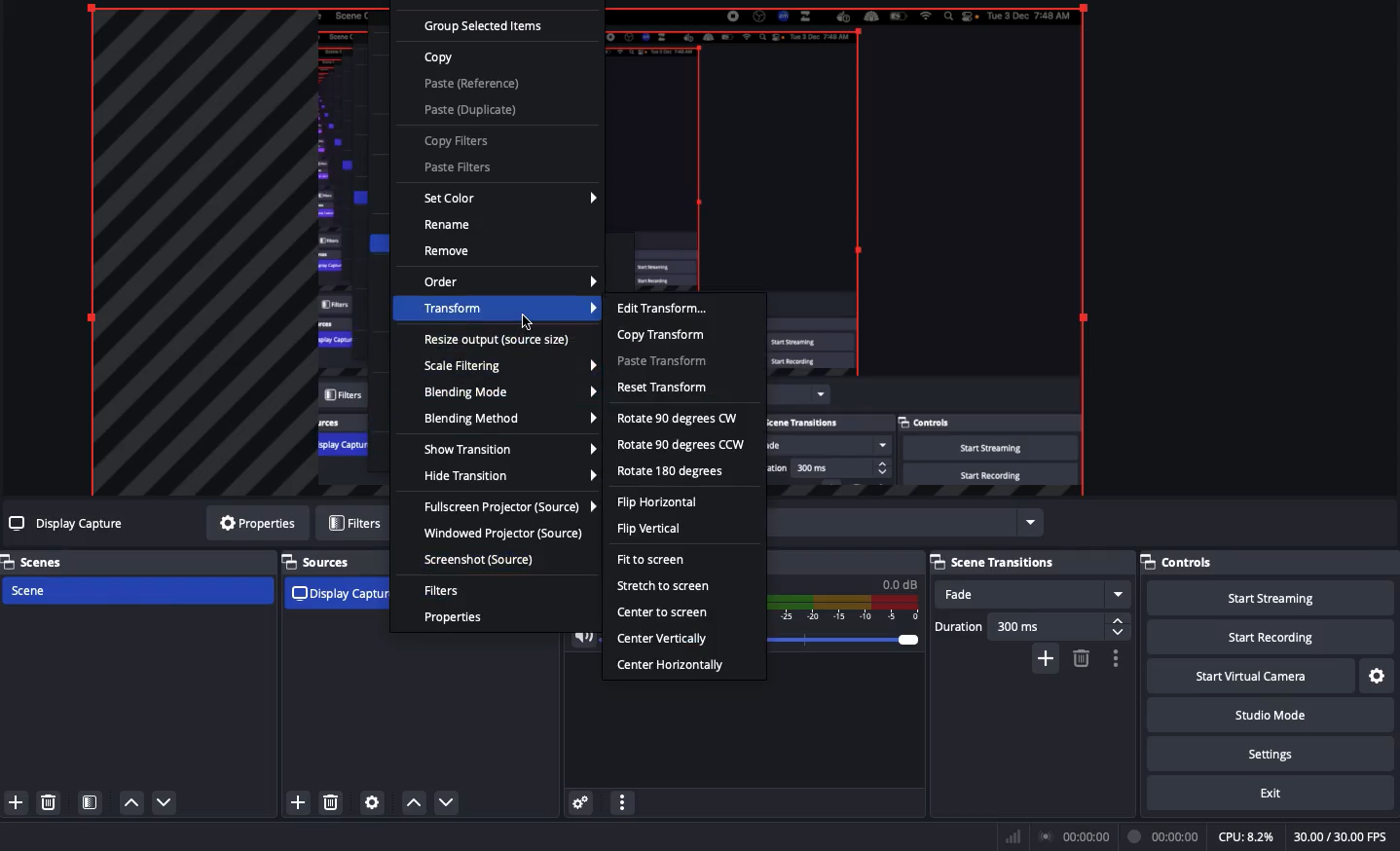 The width and height of the screenshot is (1400, 851). Describe the element at coordinates (675, 665) in the screenshot. I see `Center horizontally ` at that location.